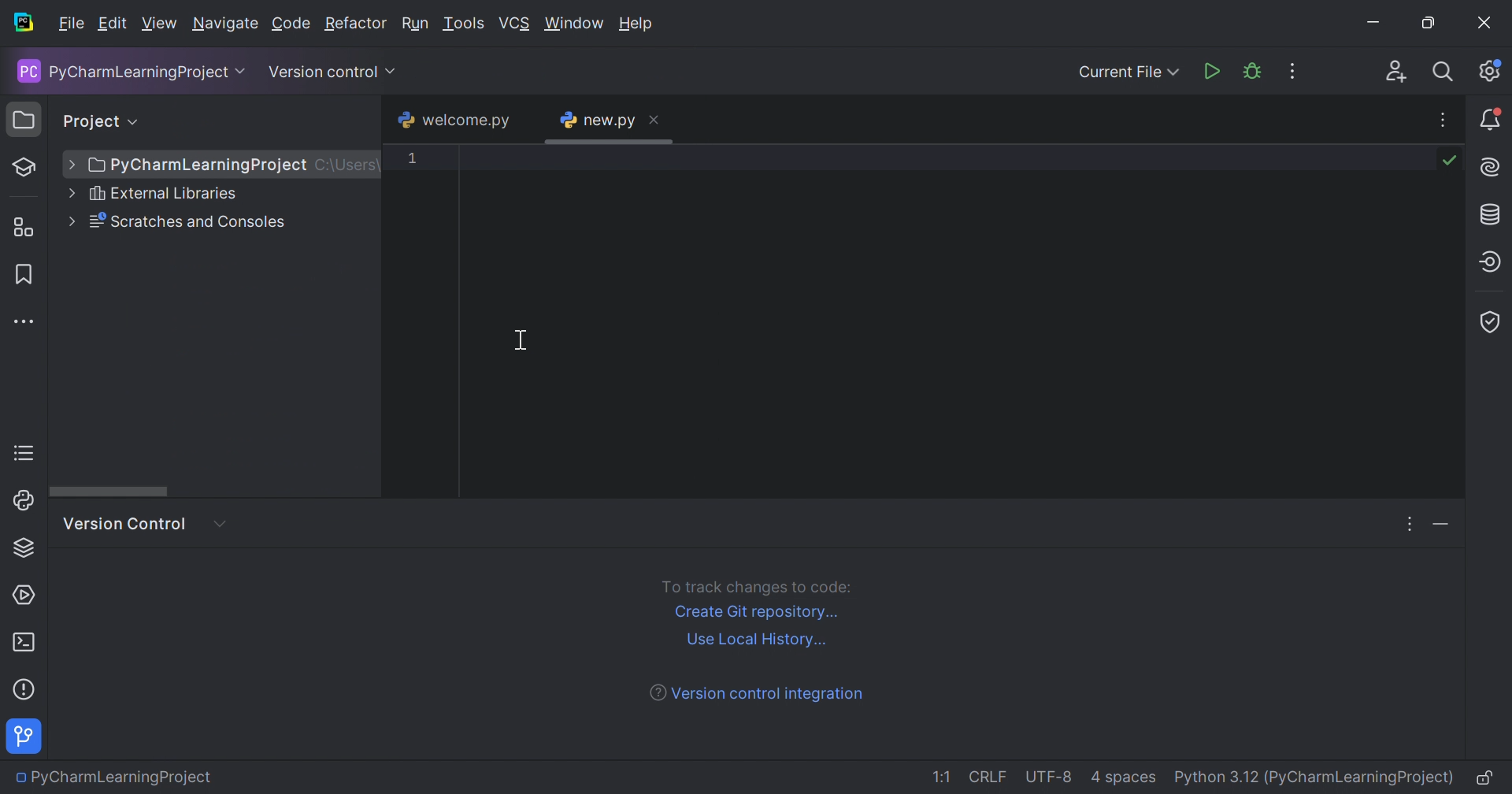  Describe the element at coordinates (1214, 778) in the screenshot. I see `Python 3.12` at that location.